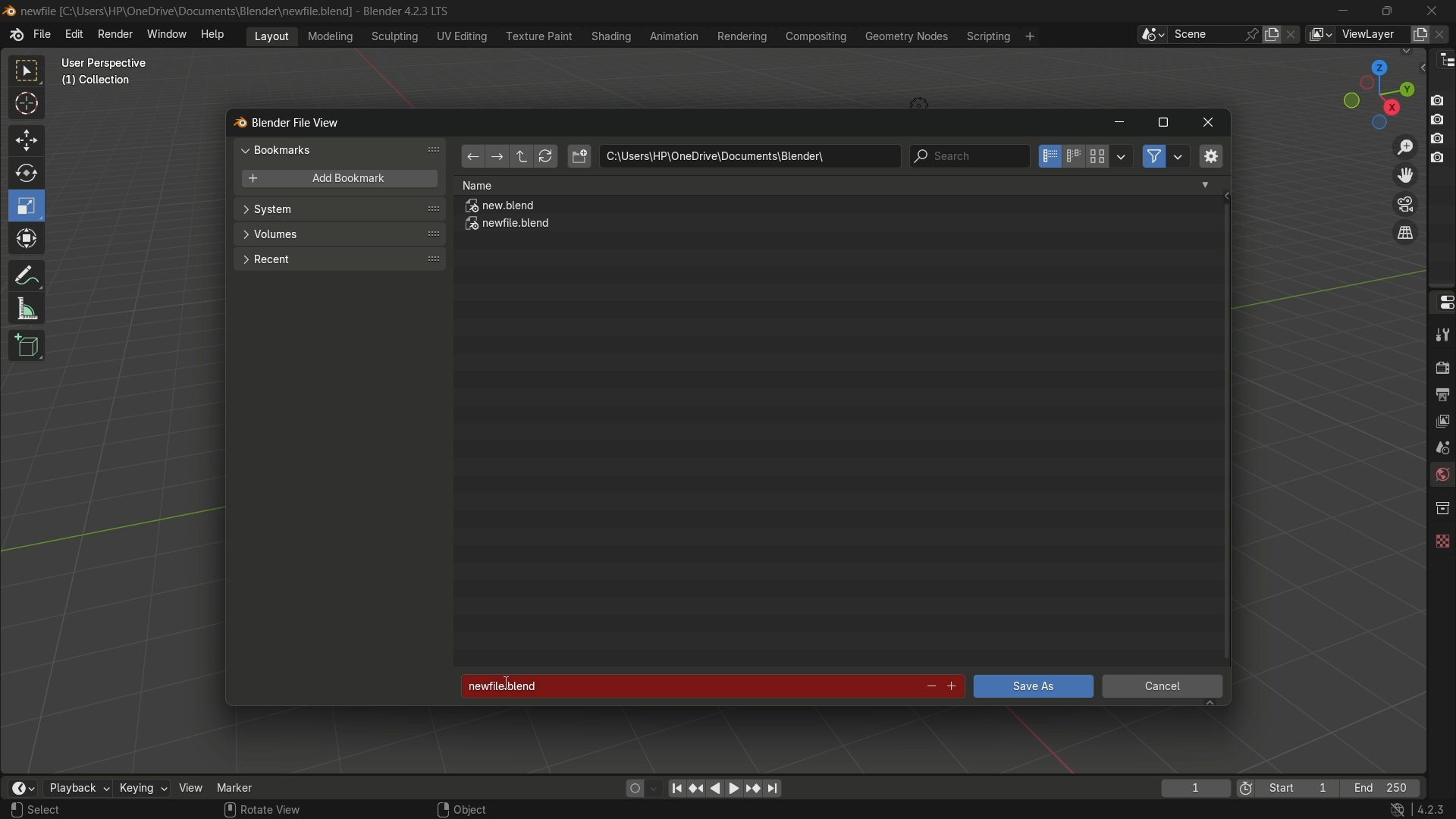 The height and width of the screenshot is (819, 1456). What do you see at coordinates (987, 36) in the screenshot?
I see `scripting menu` at bounding box center [987, 36].